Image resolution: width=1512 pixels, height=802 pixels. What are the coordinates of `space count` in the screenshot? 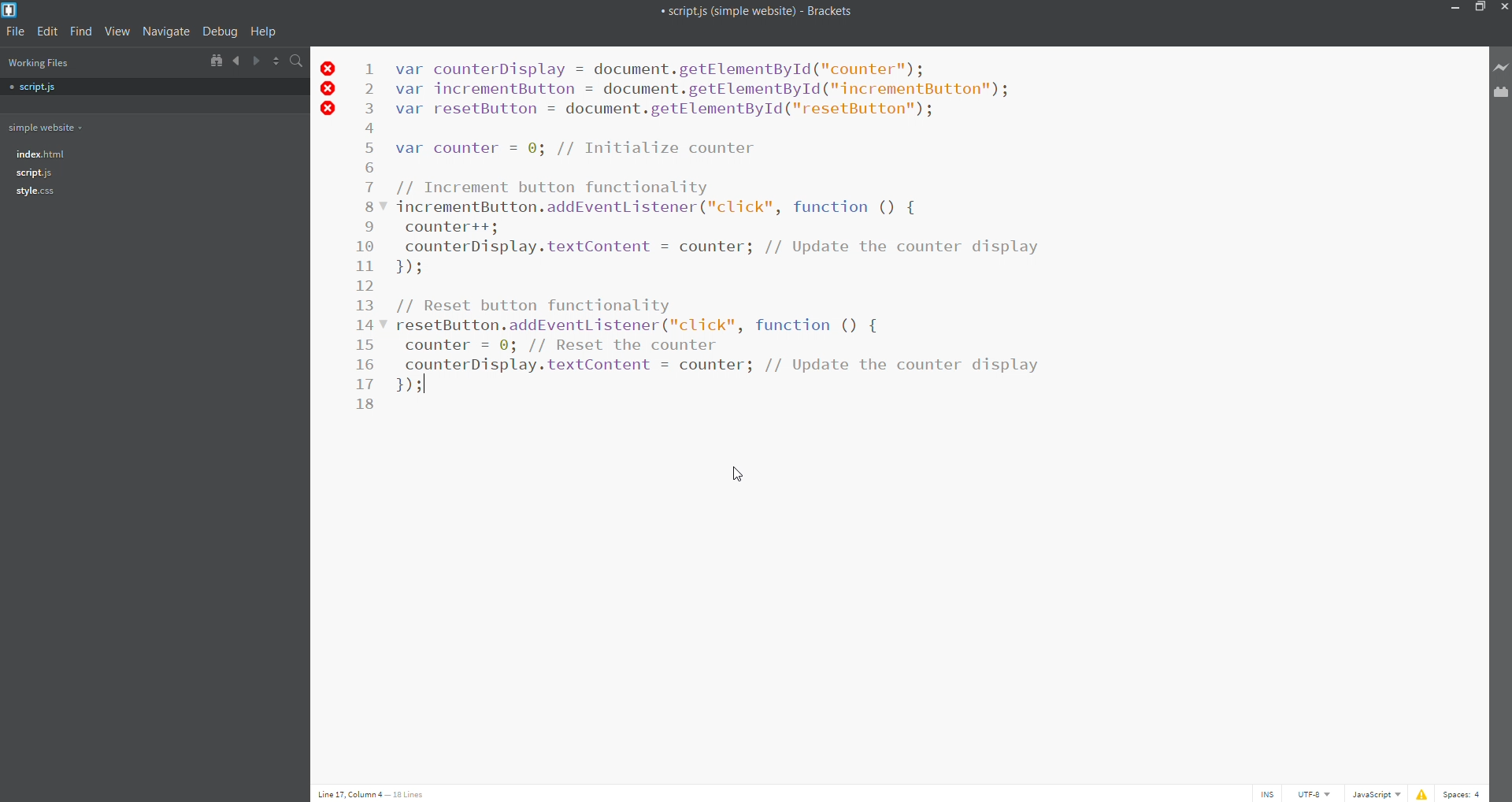 It's located at (1466, 793).